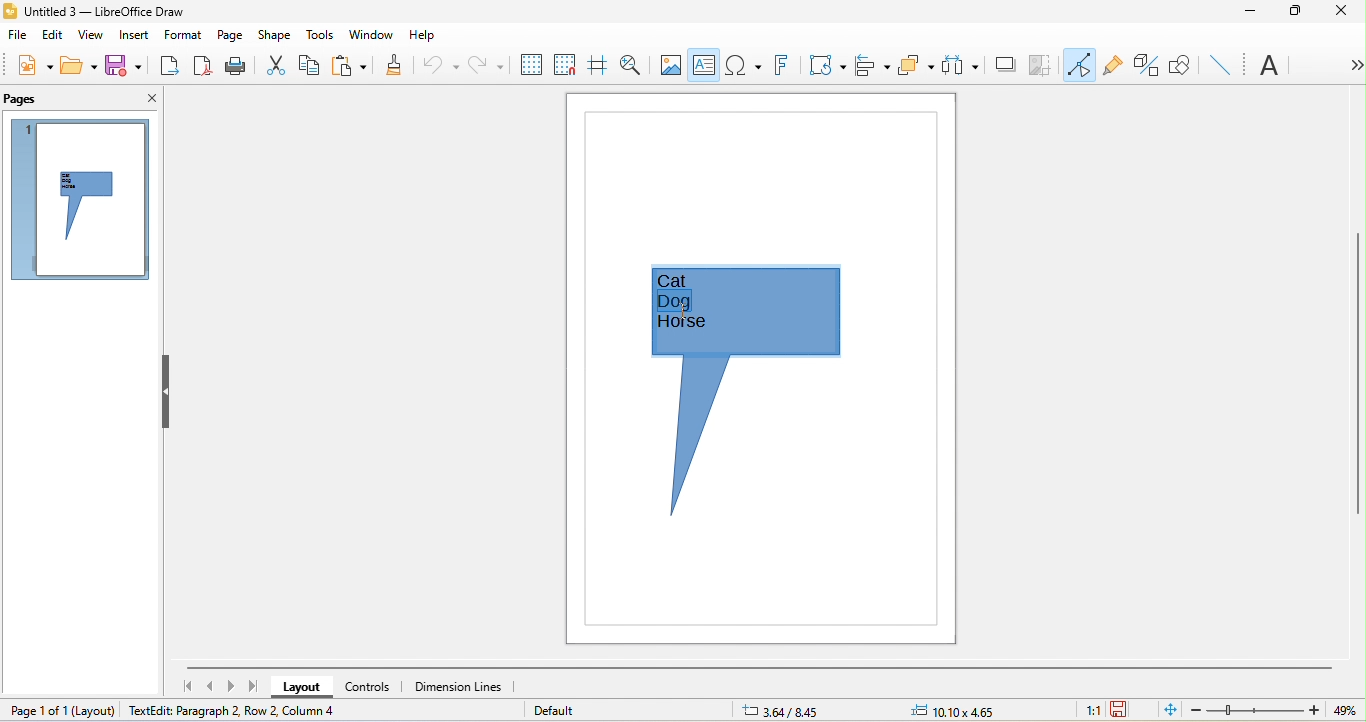  What do you see at coordinates (91, 37) in the screenshot?
I see `view` at bounding box center [91, 37].